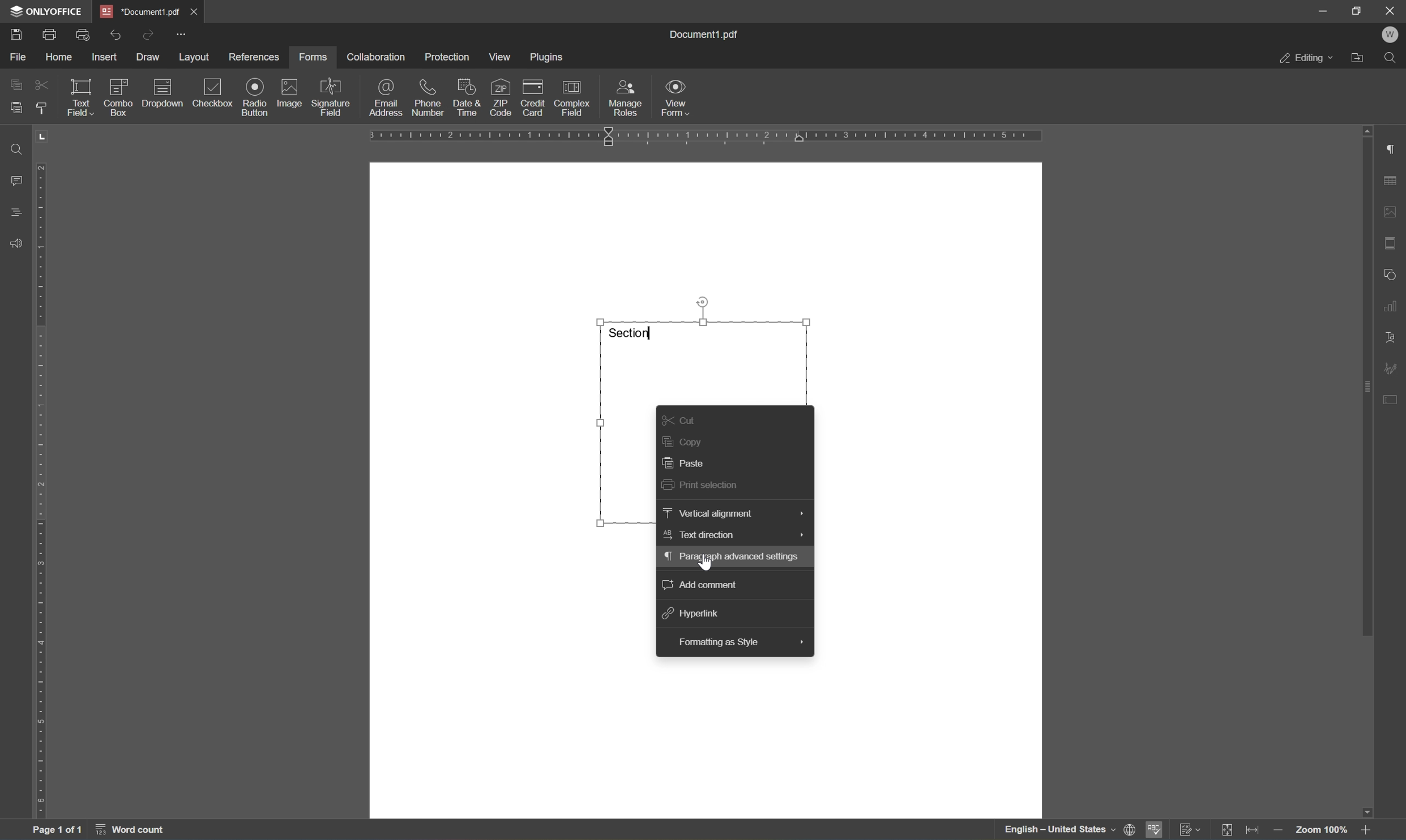  What do you see at coordinates (680, 421) in the screenshot?
I see `cut` at bounding box center [680, 421].